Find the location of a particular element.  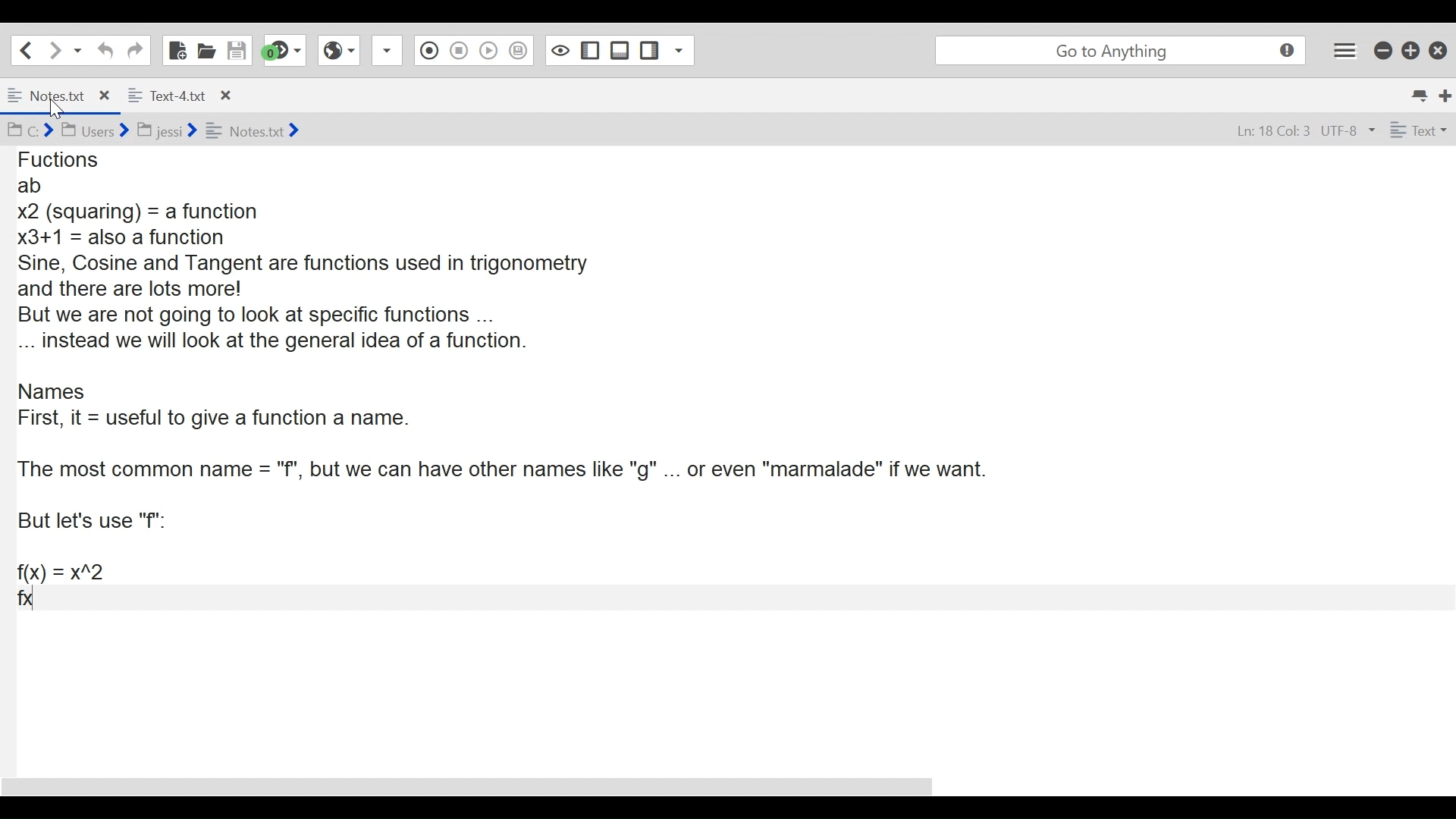

c: is located at coordinates (29, 130).